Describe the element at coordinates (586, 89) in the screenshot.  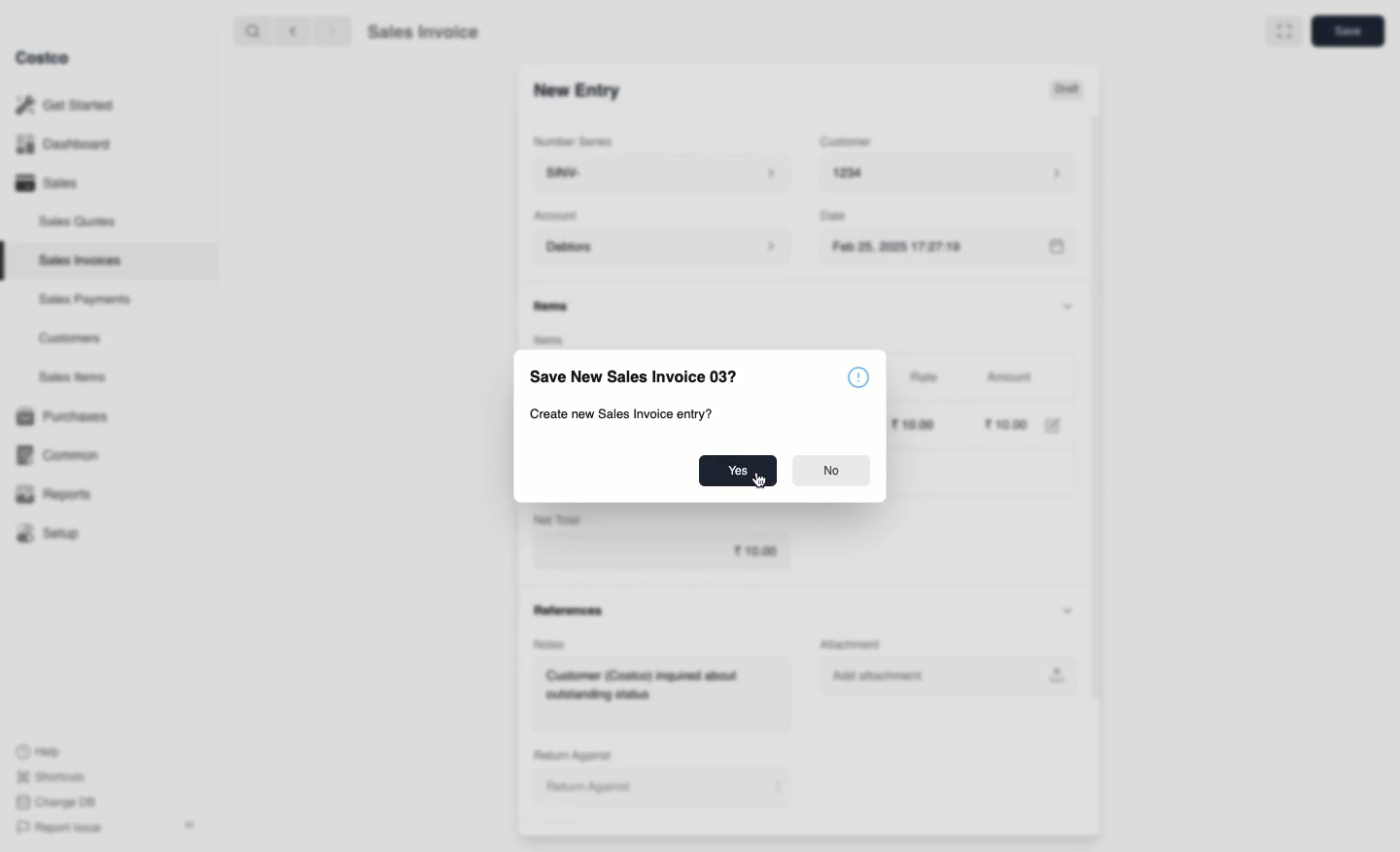
I see `SINV-1001` at that location.